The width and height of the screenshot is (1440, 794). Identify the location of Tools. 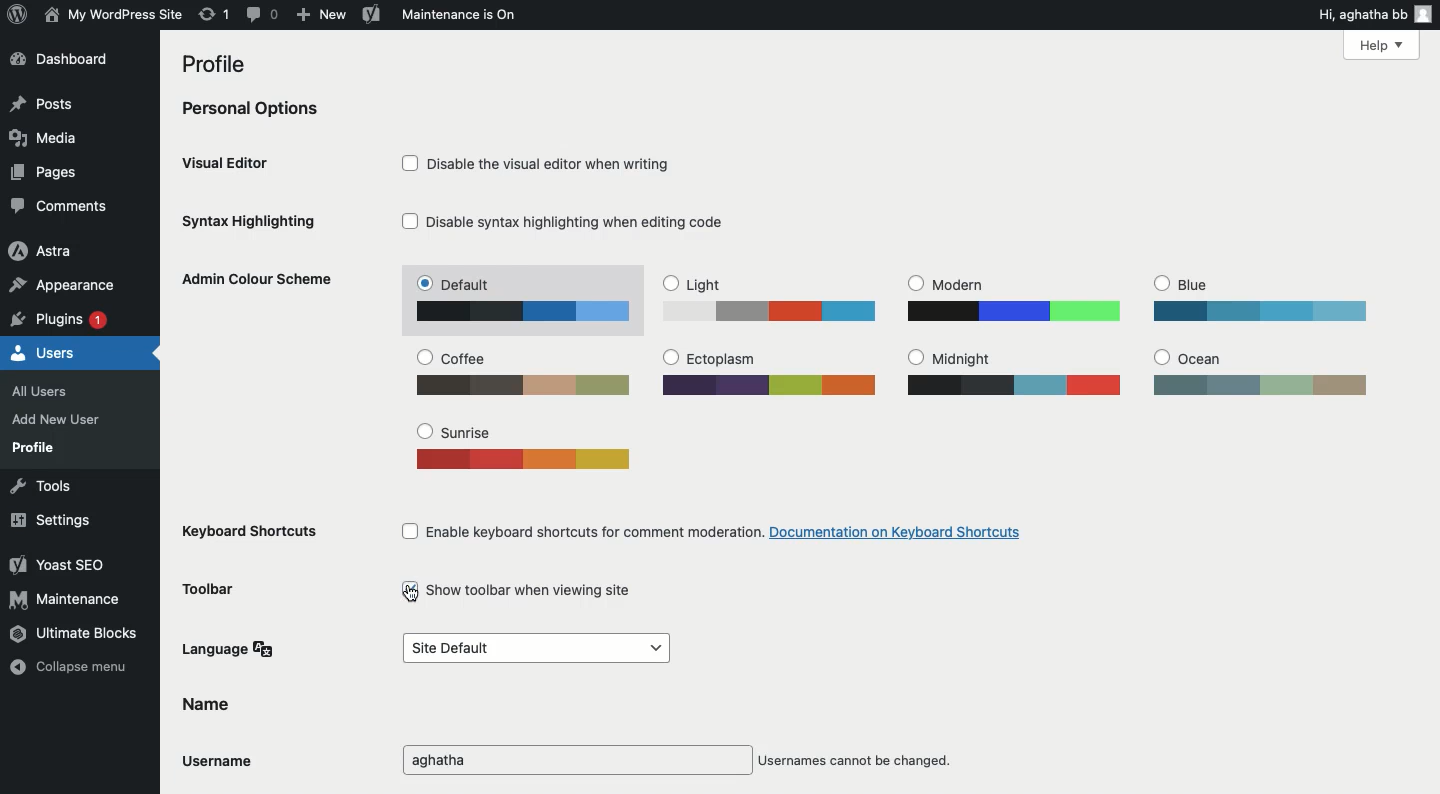
(43, 483).